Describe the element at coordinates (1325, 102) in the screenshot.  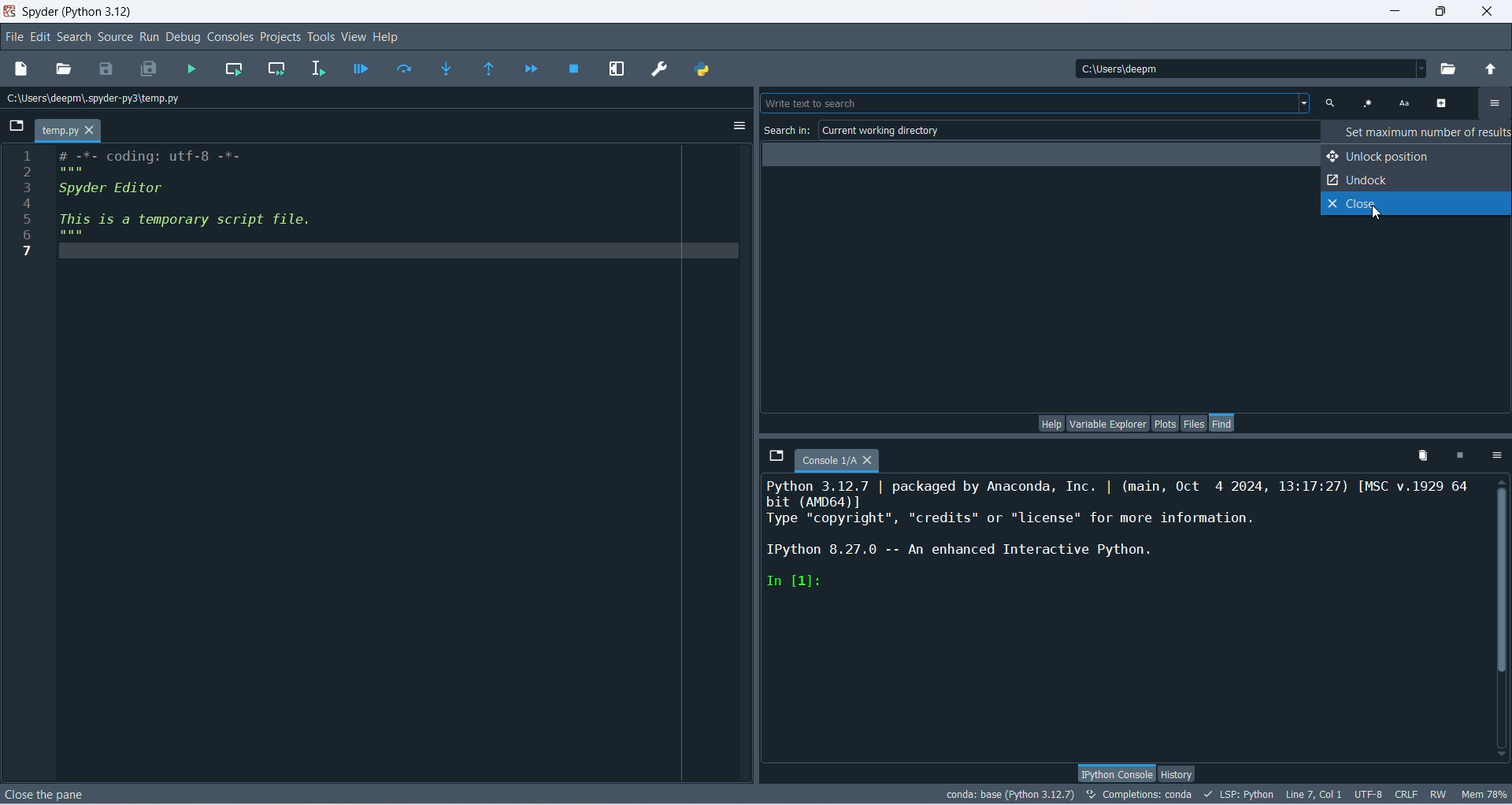
I see `text search` at that location.